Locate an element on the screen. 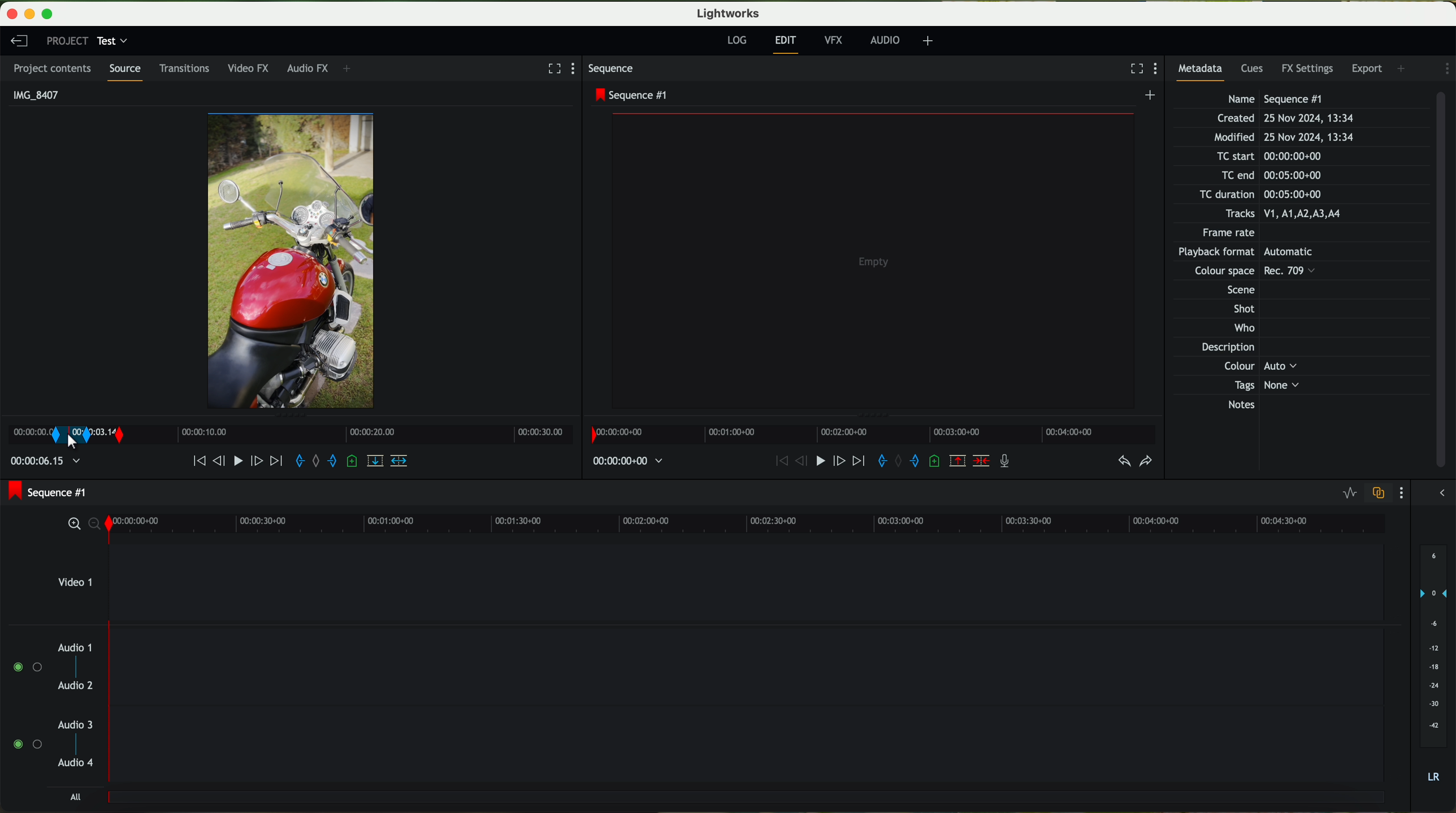 This screenshot has height=813, width=1456. move backward is located at coordinates (774, 461).